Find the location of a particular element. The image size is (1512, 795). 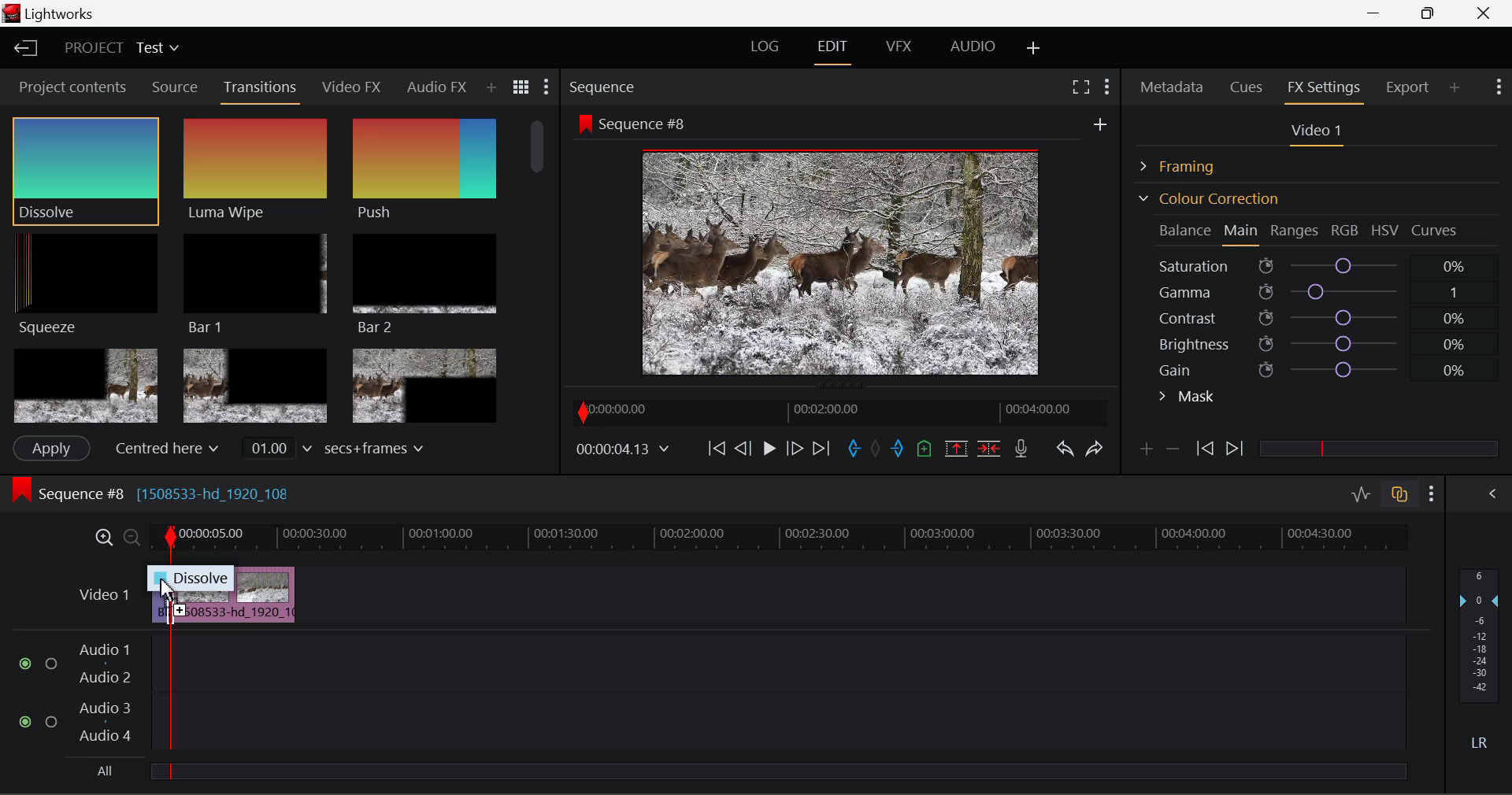

VFX Layout is located at coordinates (902, 48).